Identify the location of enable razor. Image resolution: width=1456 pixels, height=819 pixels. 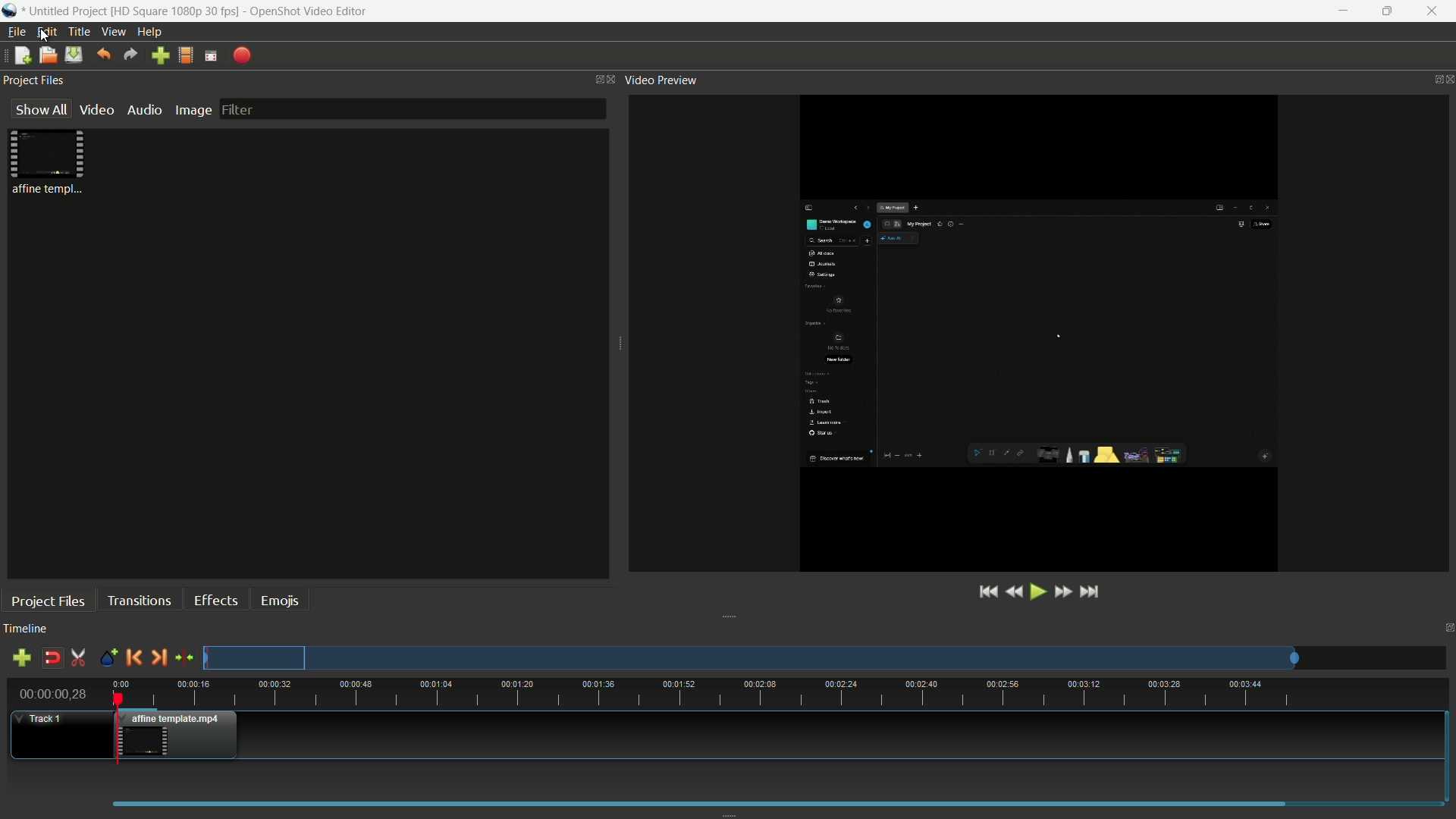
(78, 658).